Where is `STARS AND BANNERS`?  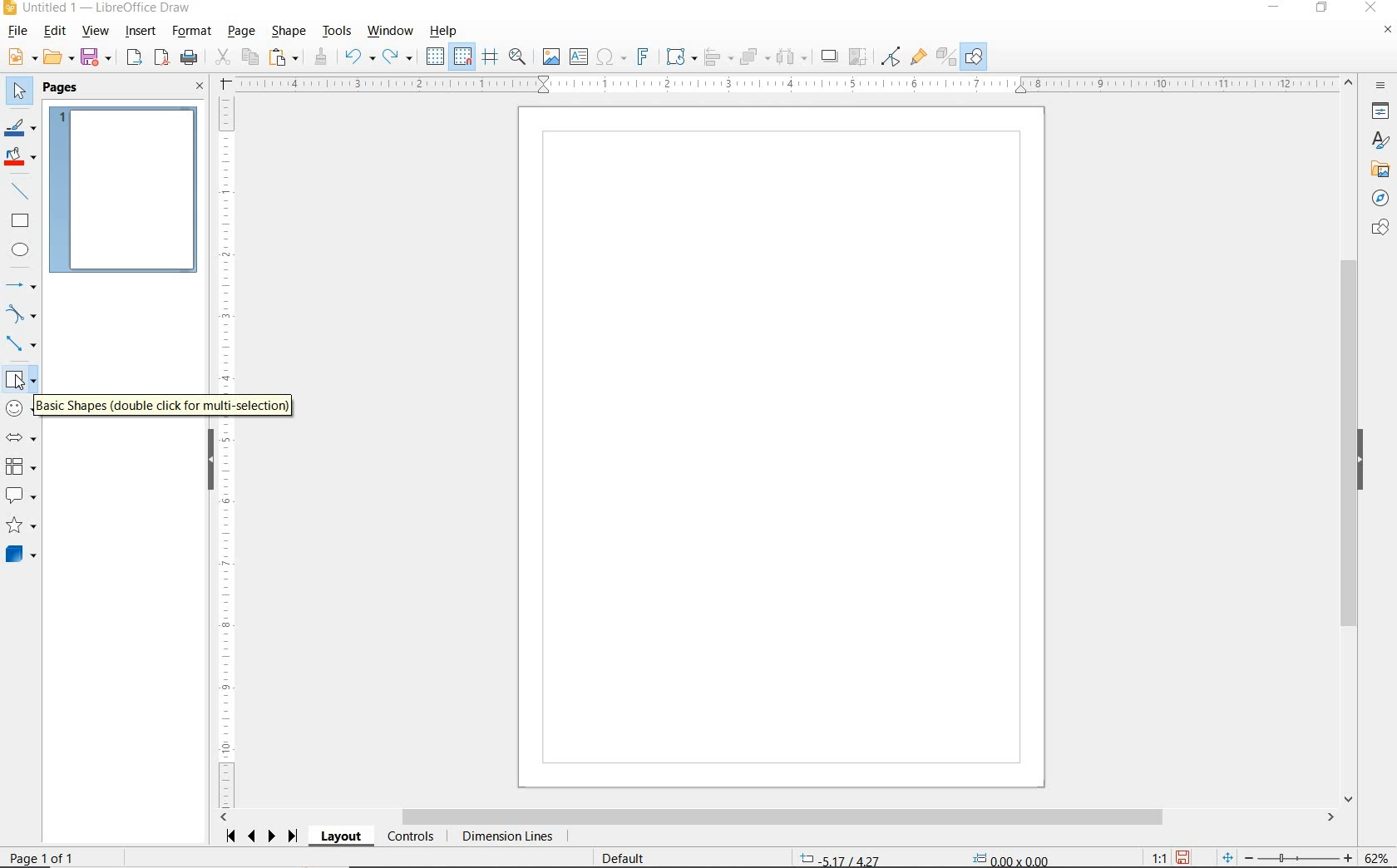 STARS AND BANNERS is located at coordinates (21, 526).